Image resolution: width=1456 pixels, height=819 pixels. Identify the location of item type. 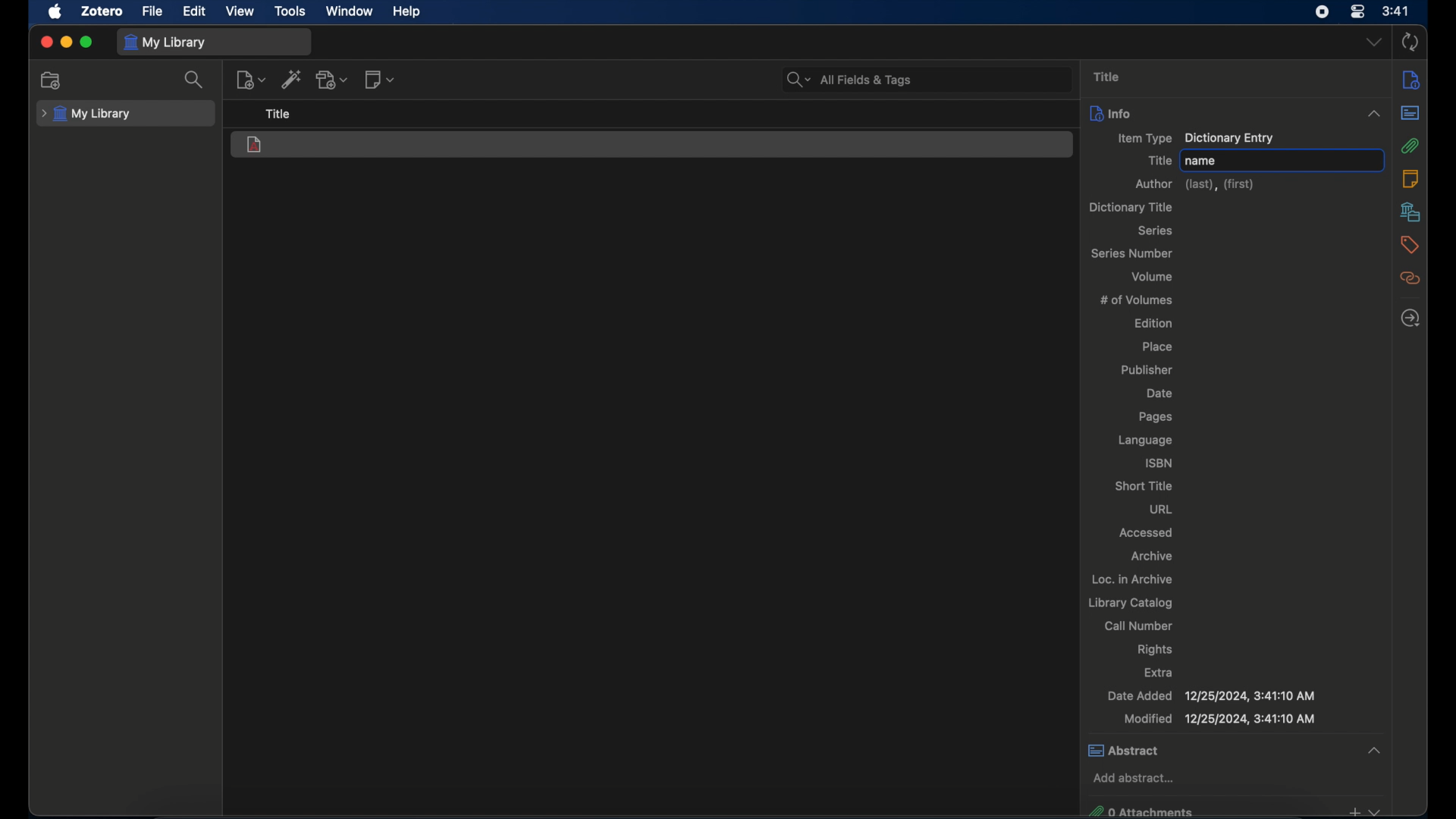
(1197, 139).